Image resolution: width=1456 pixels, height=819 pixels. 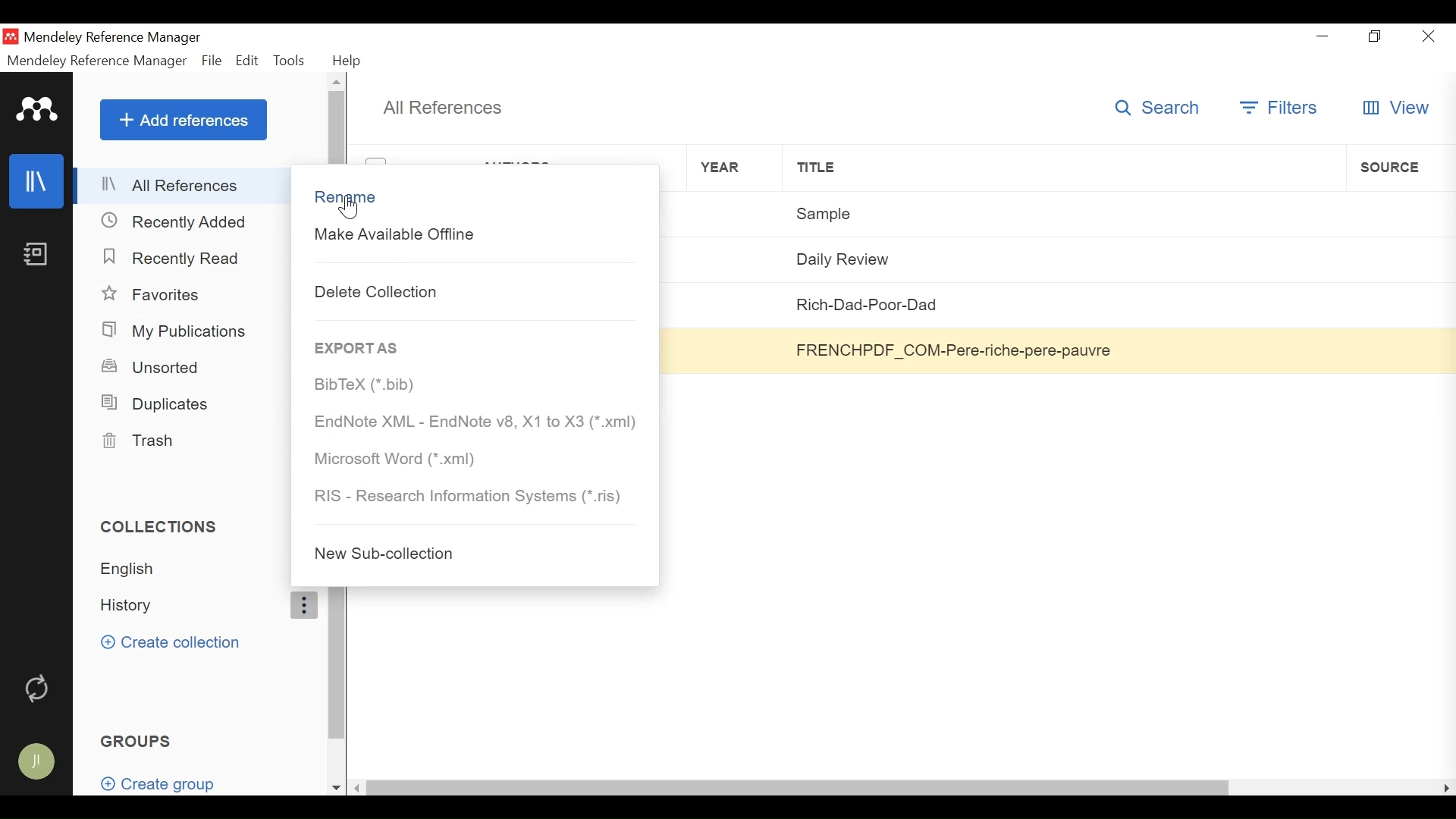 I want to click on Recently Read, so click(x=172, y=256).